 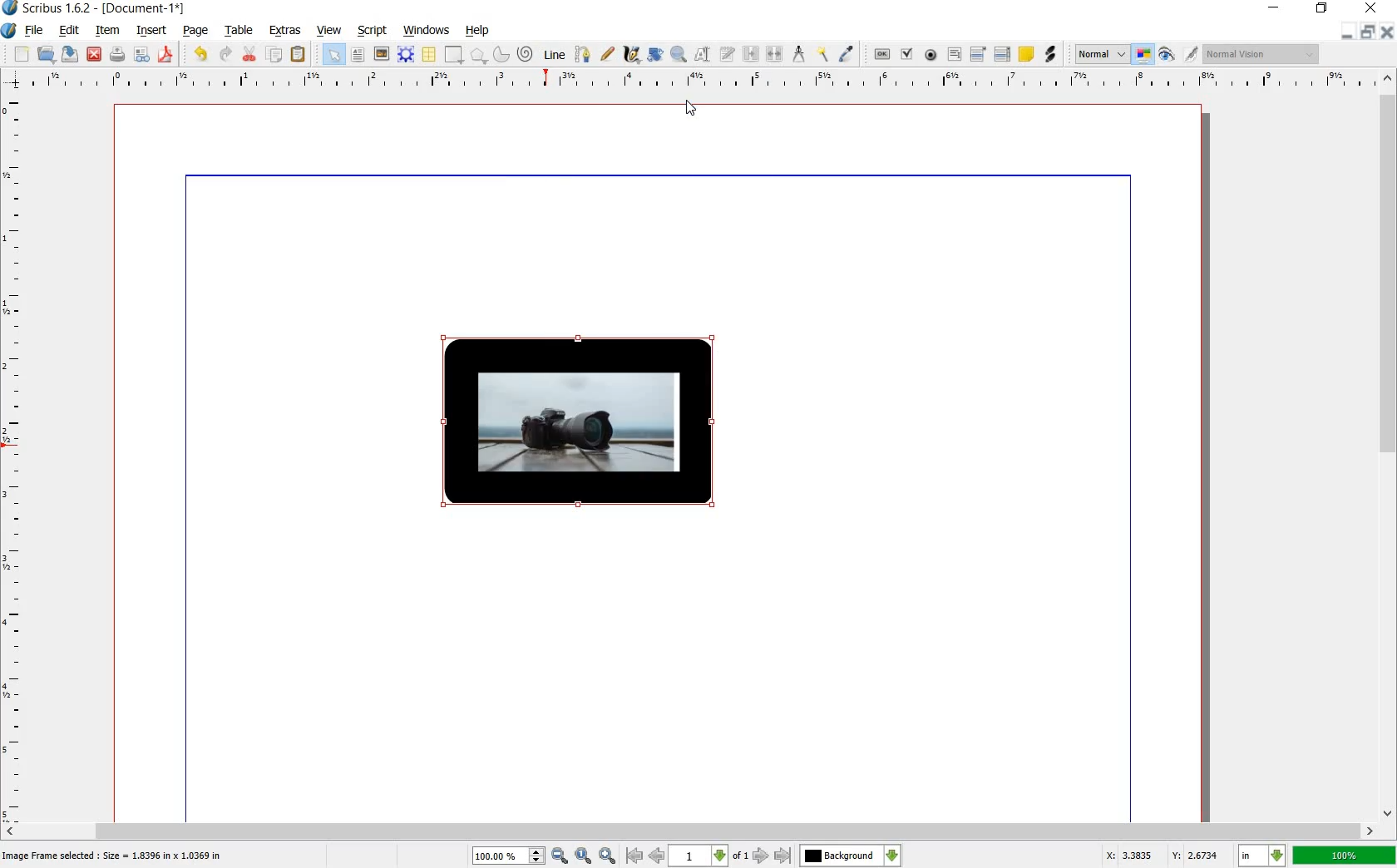 I want to click on close, so click(x=1370, y=8).